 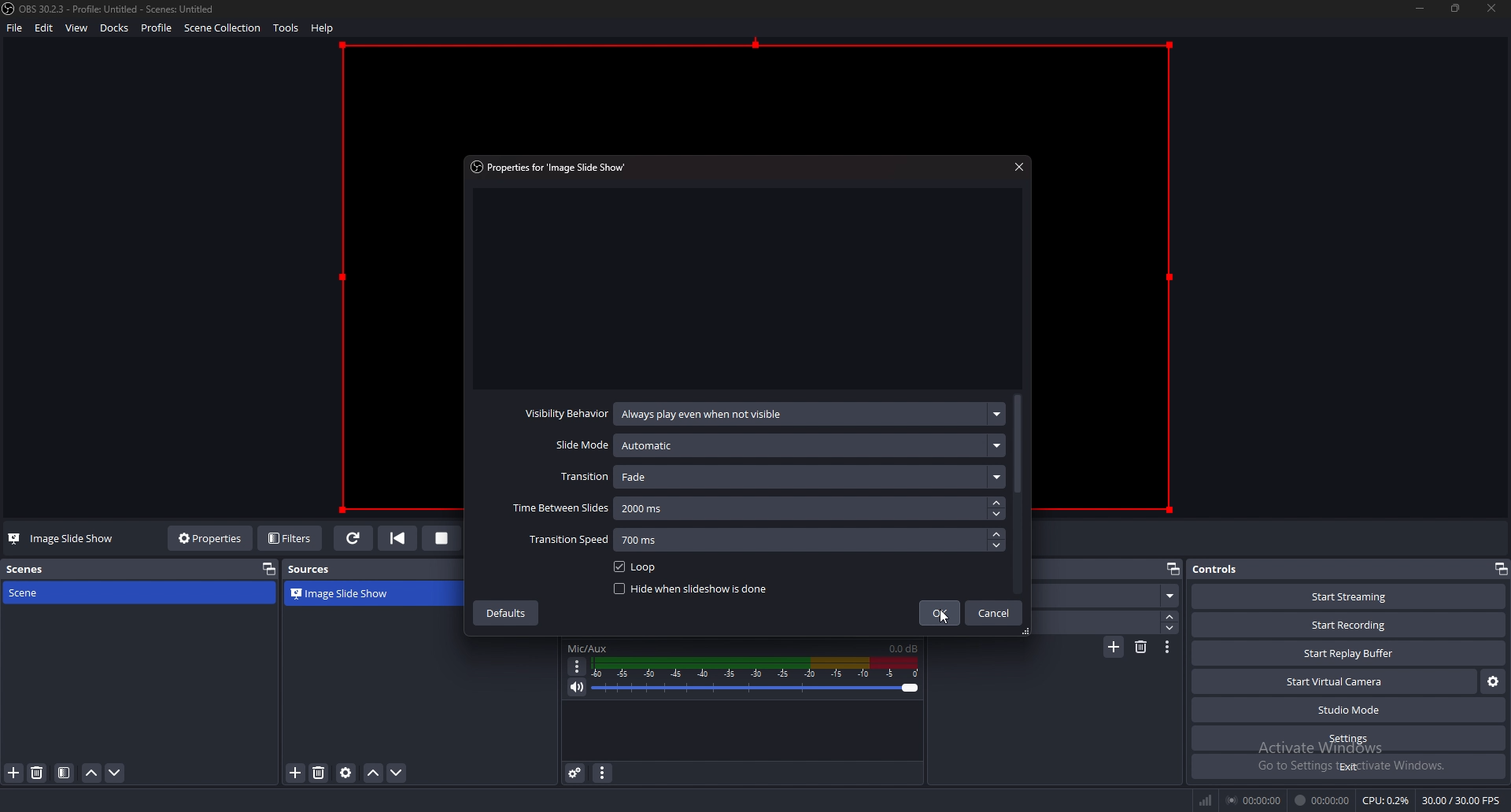 What do you see at coordinates (1257, 799) in the screenshot?
I see `streaming time` at bounding box center [1257, 799].